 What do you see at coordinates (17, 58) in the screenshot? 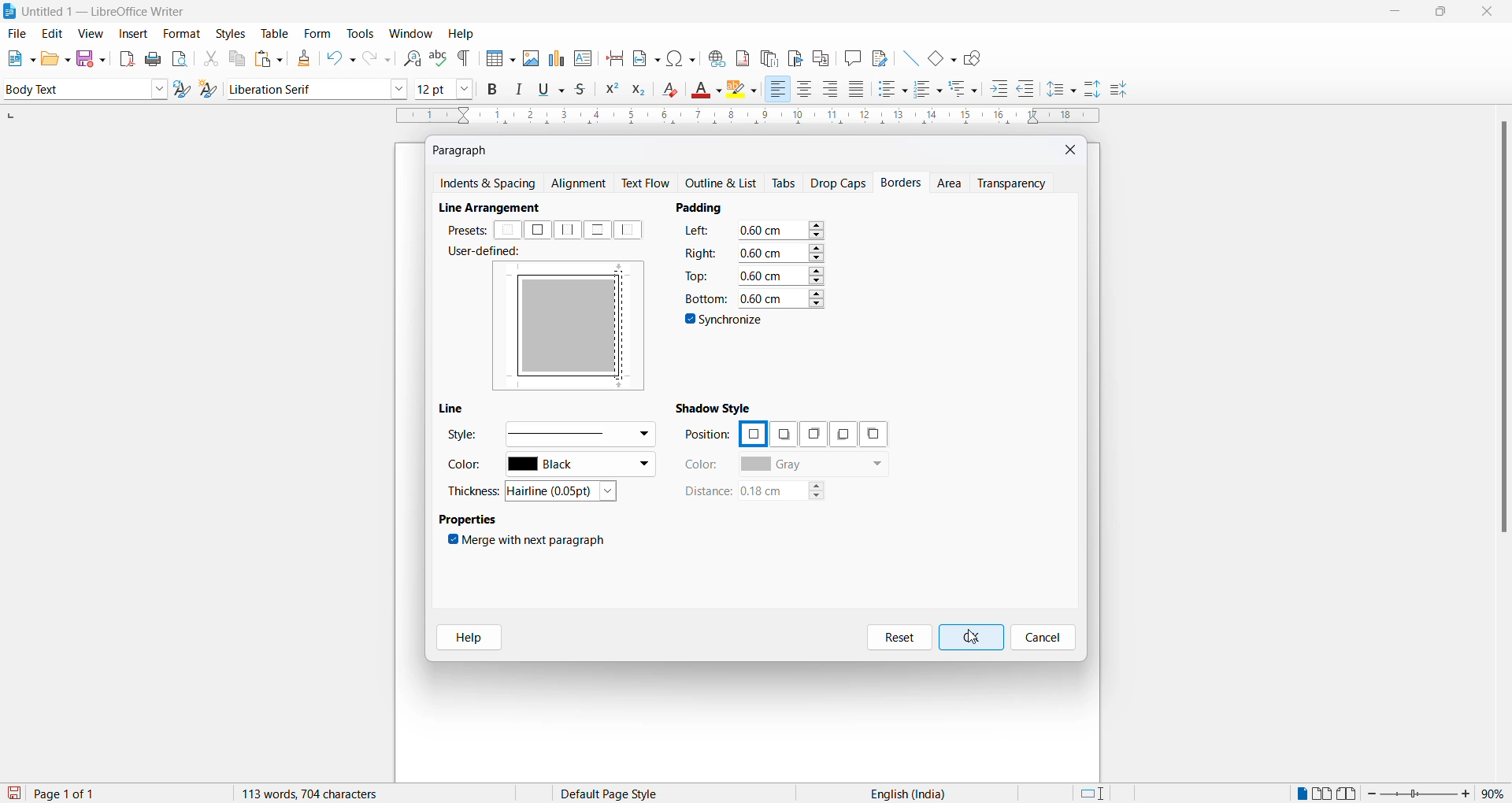
I see `new file options` at bounding box center [17, 58].